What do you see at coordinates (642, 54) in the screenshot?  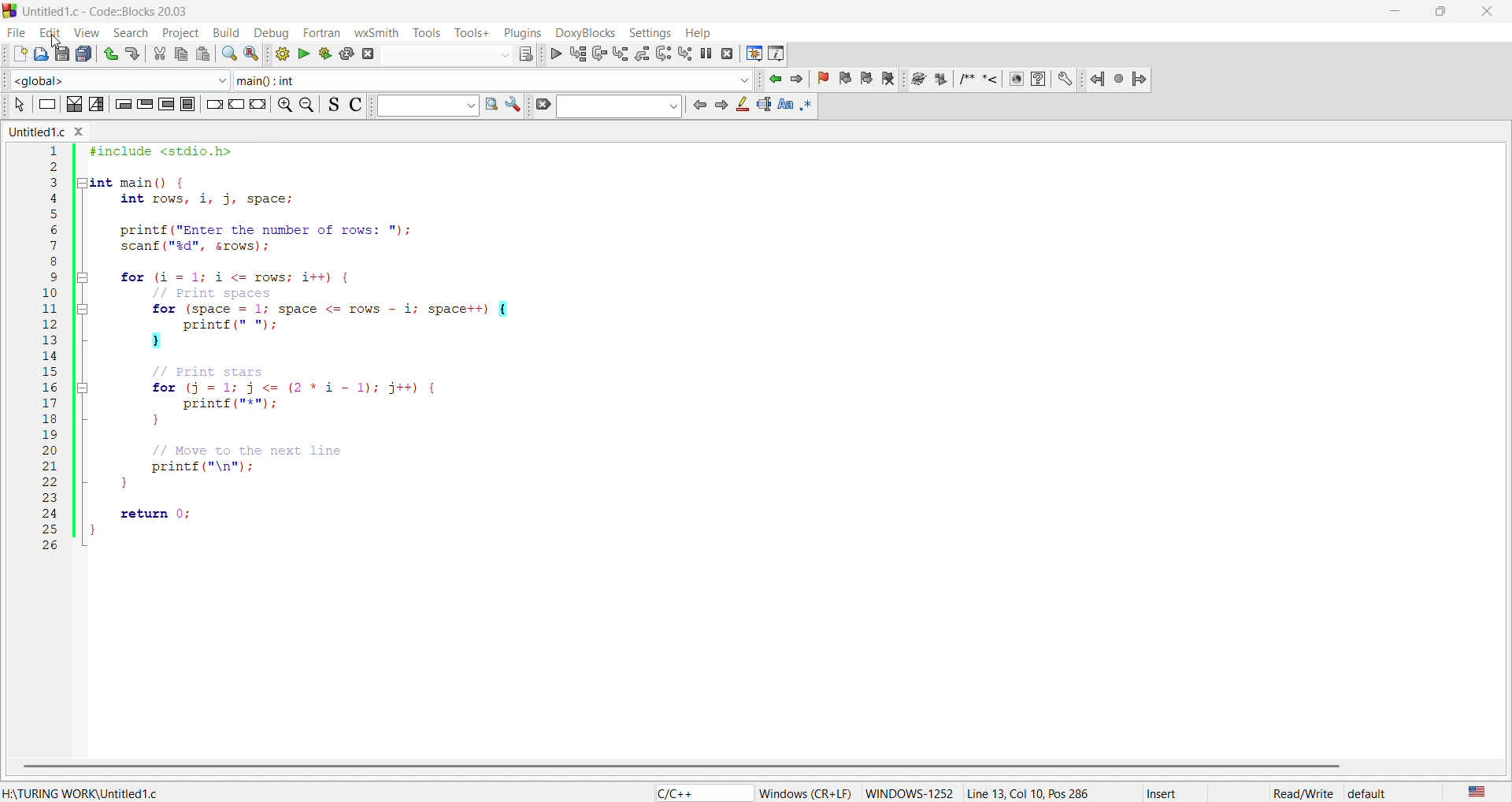 I see `step out` at bounding box center [642, 54].